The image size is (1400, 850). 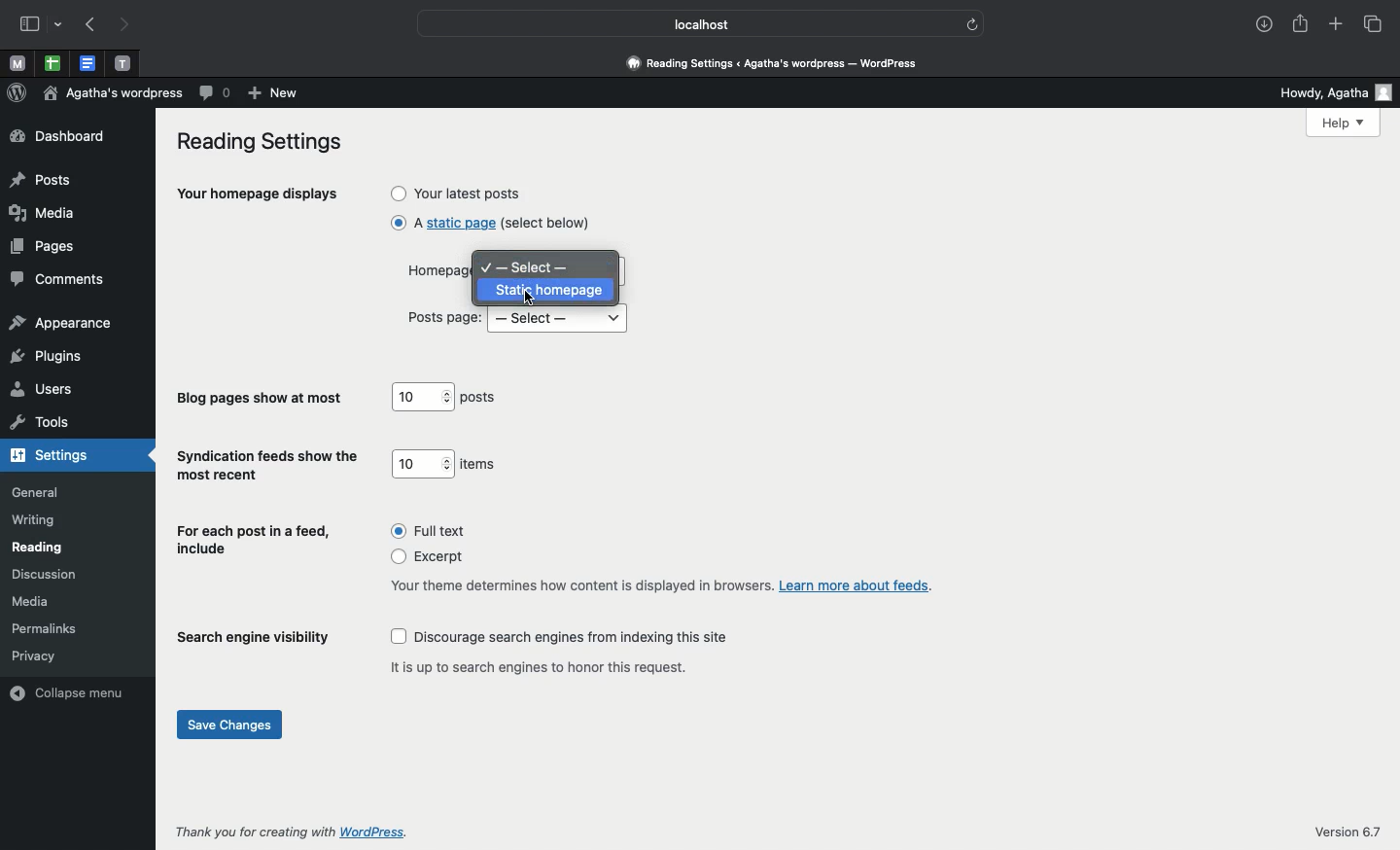 What do you see at coordinates (44, 575) in the screenshot?
I see `discussion` at bounding box center [44, 575].